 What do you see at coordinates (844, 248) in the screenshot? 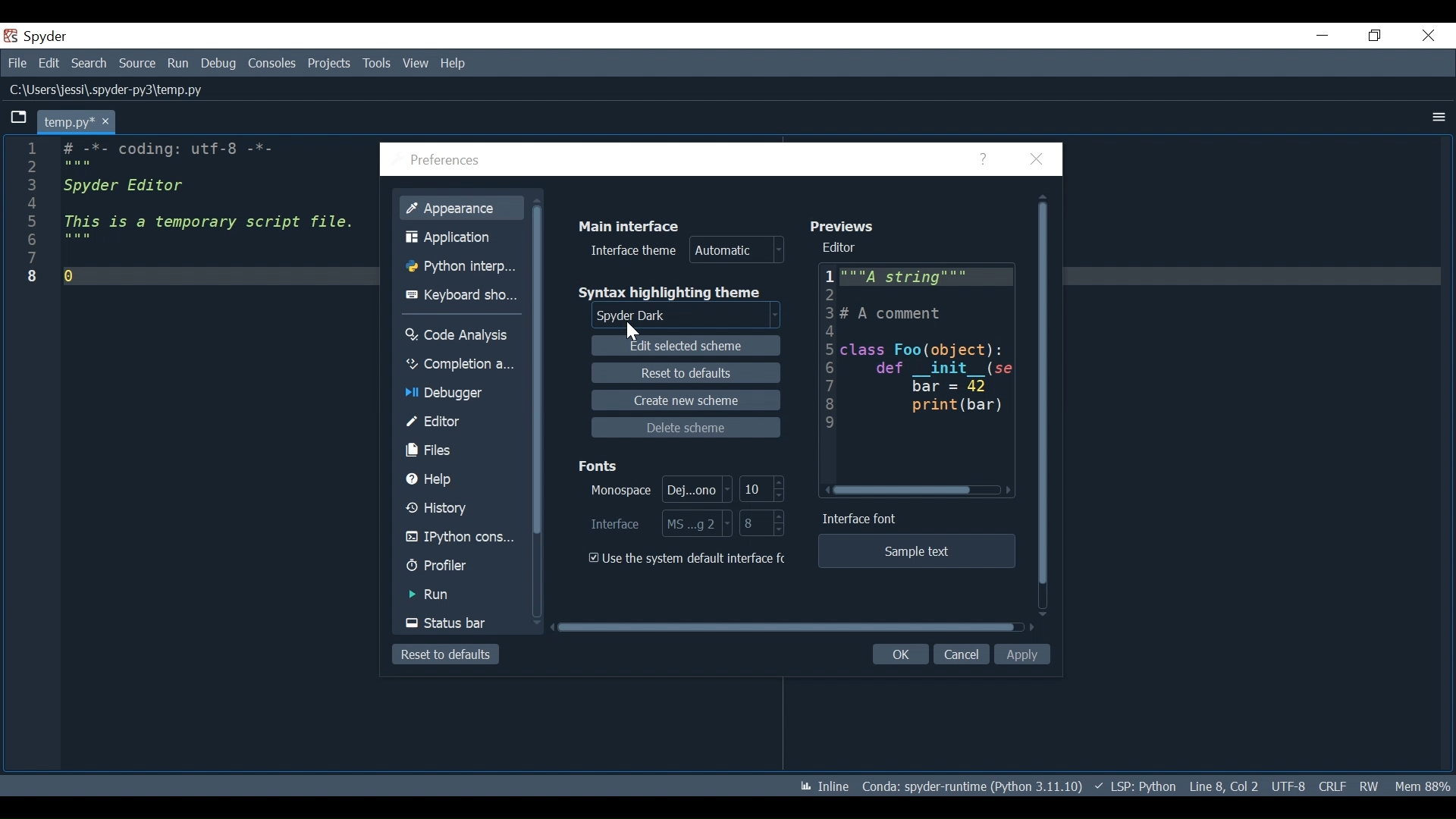
I see `Editor` at bounding box center [844, 248].